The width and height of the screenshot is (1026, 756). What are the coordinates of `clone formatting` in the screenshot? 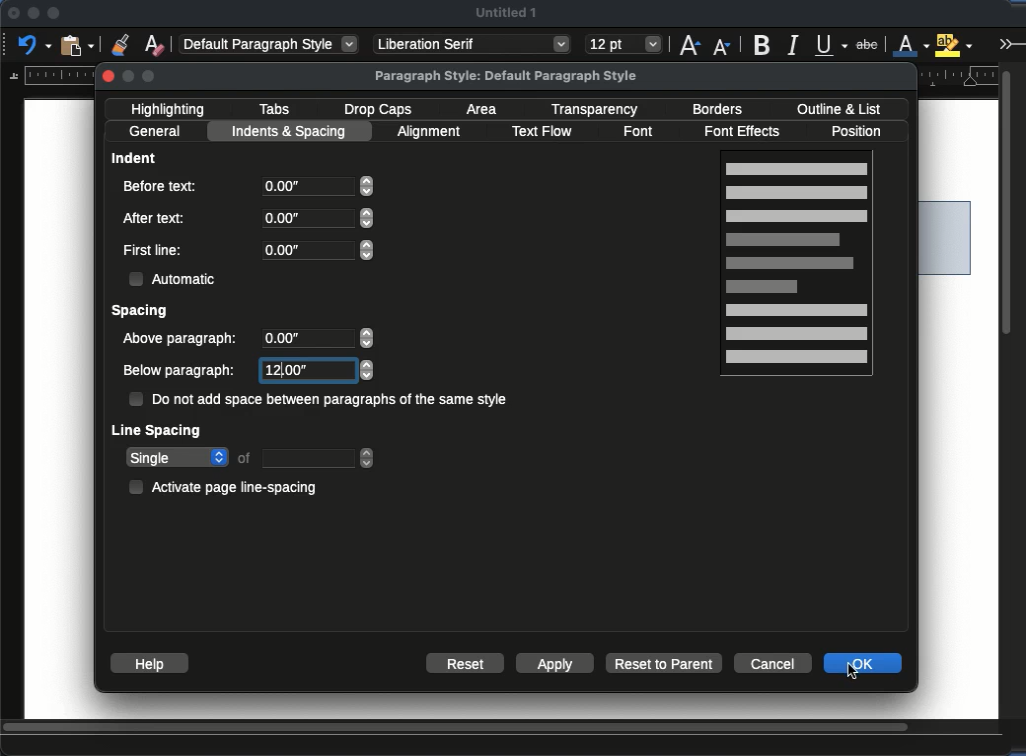 It's located at (120, 44).